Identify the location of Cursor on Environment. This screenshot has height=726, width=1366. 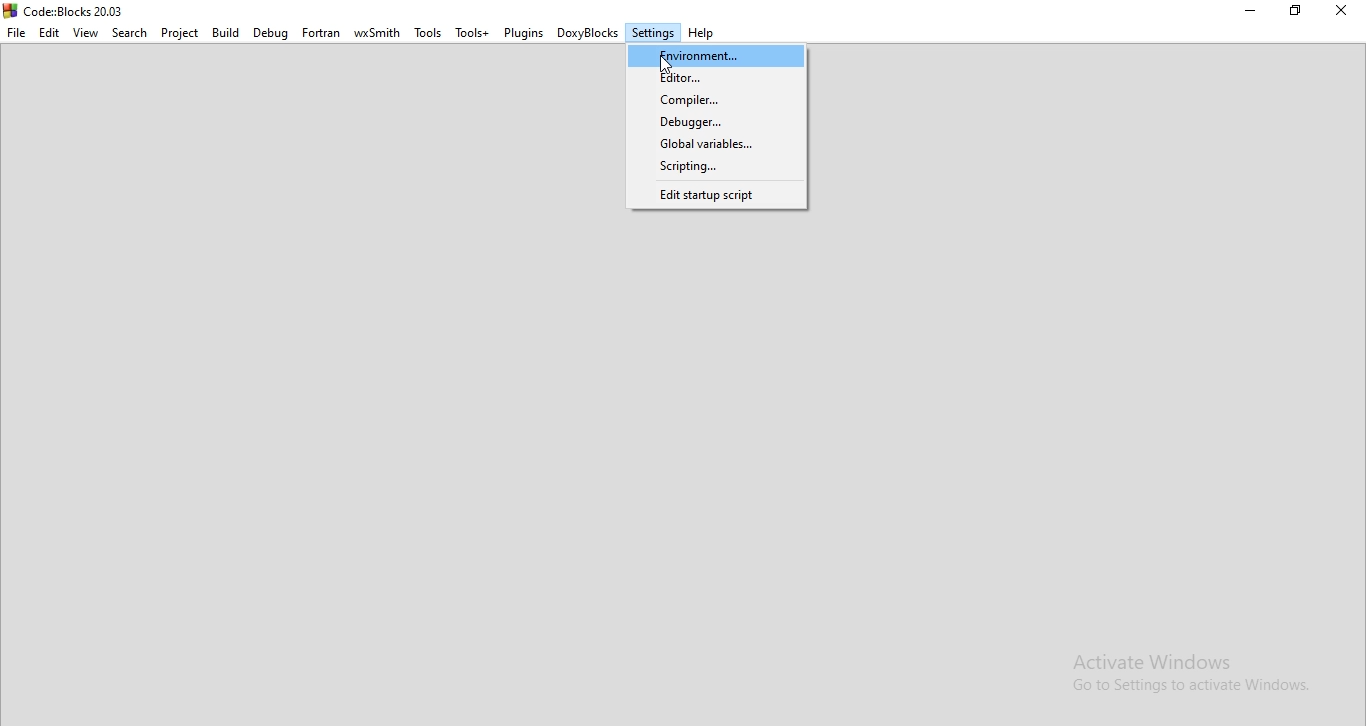
(668, 65).